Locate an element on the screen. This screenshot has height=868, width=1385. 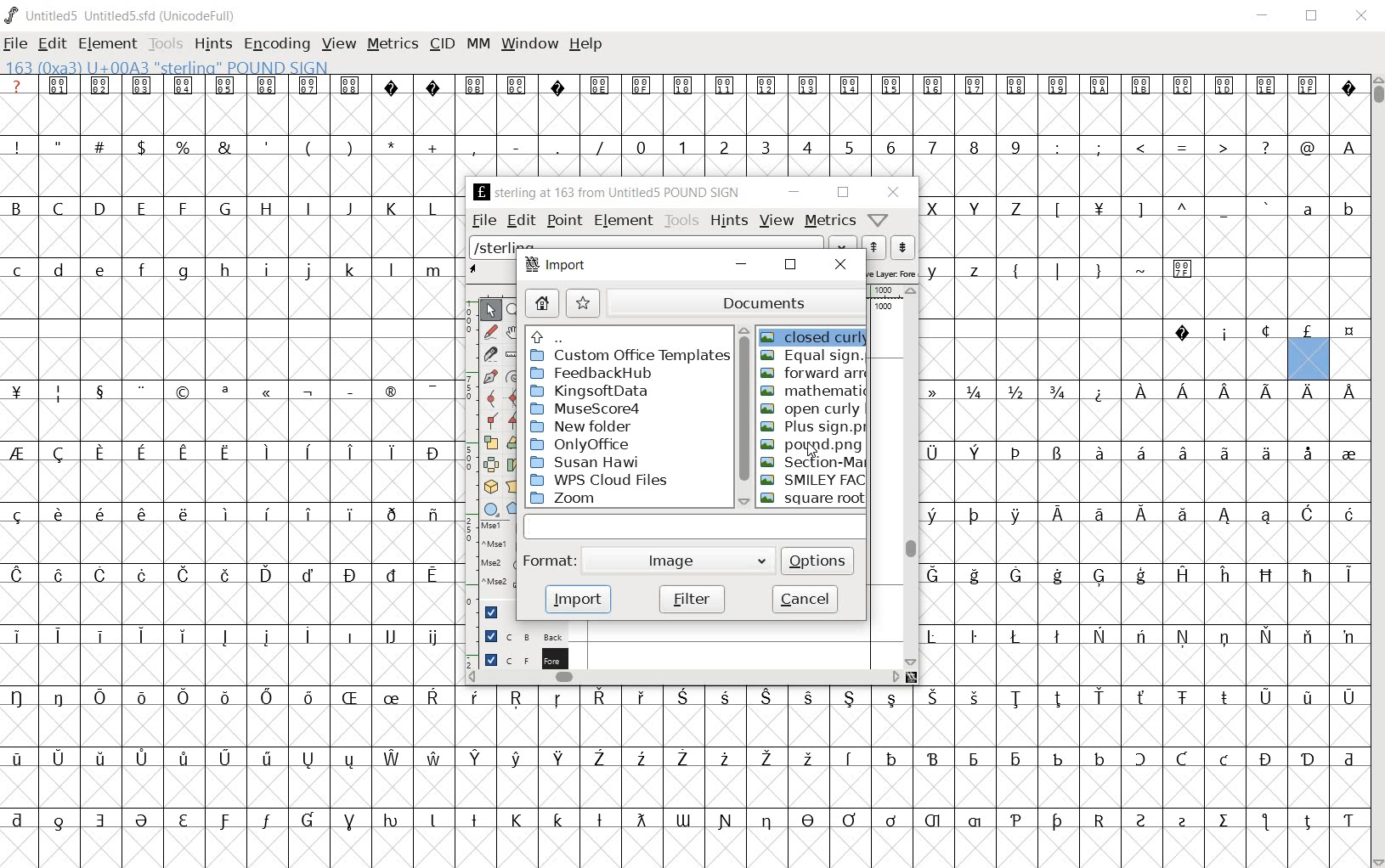
Symbol is located at coordinates (1015, 758).